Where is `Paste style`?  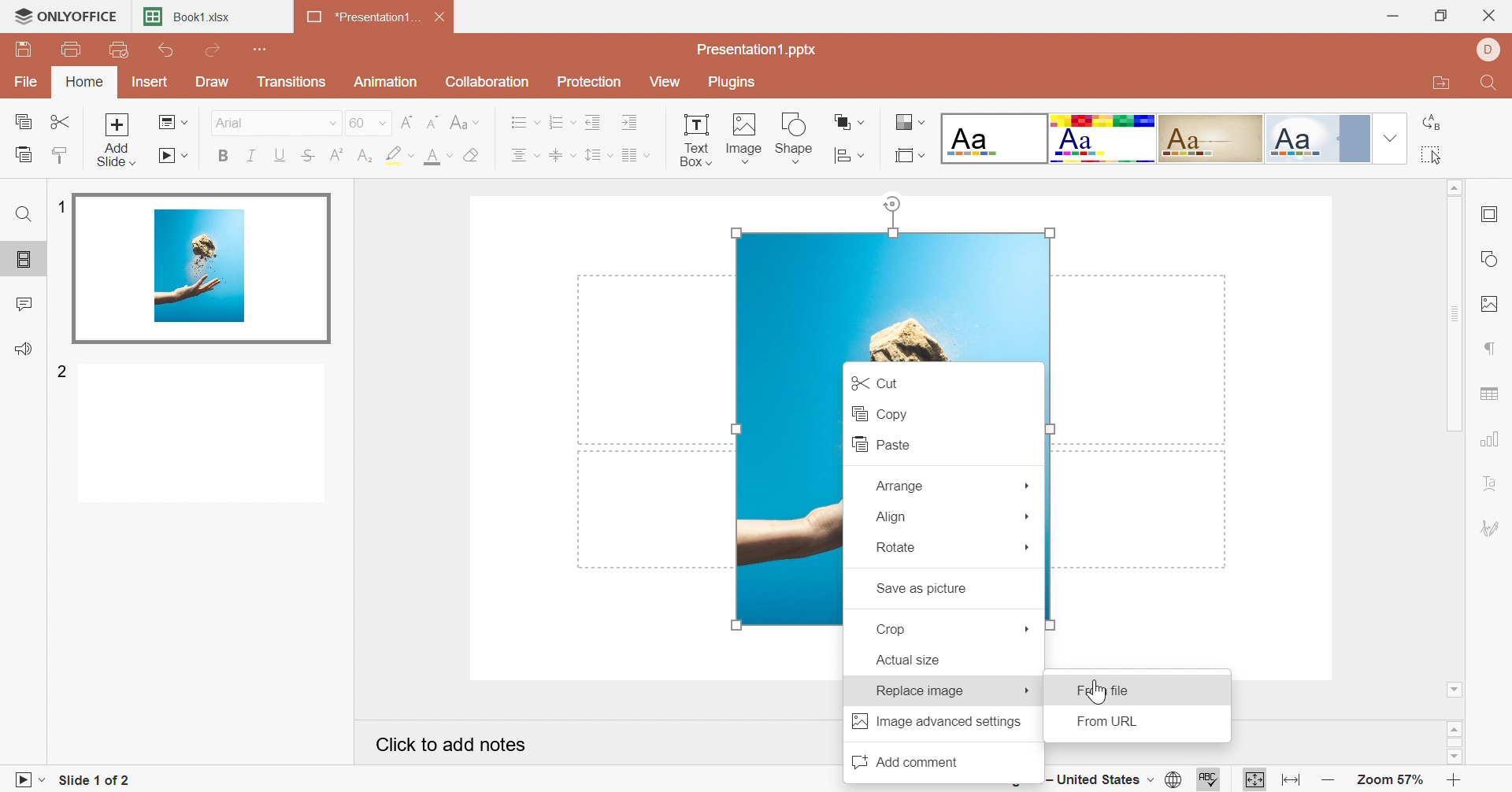
Paste style is located at coordinates (64, 154).